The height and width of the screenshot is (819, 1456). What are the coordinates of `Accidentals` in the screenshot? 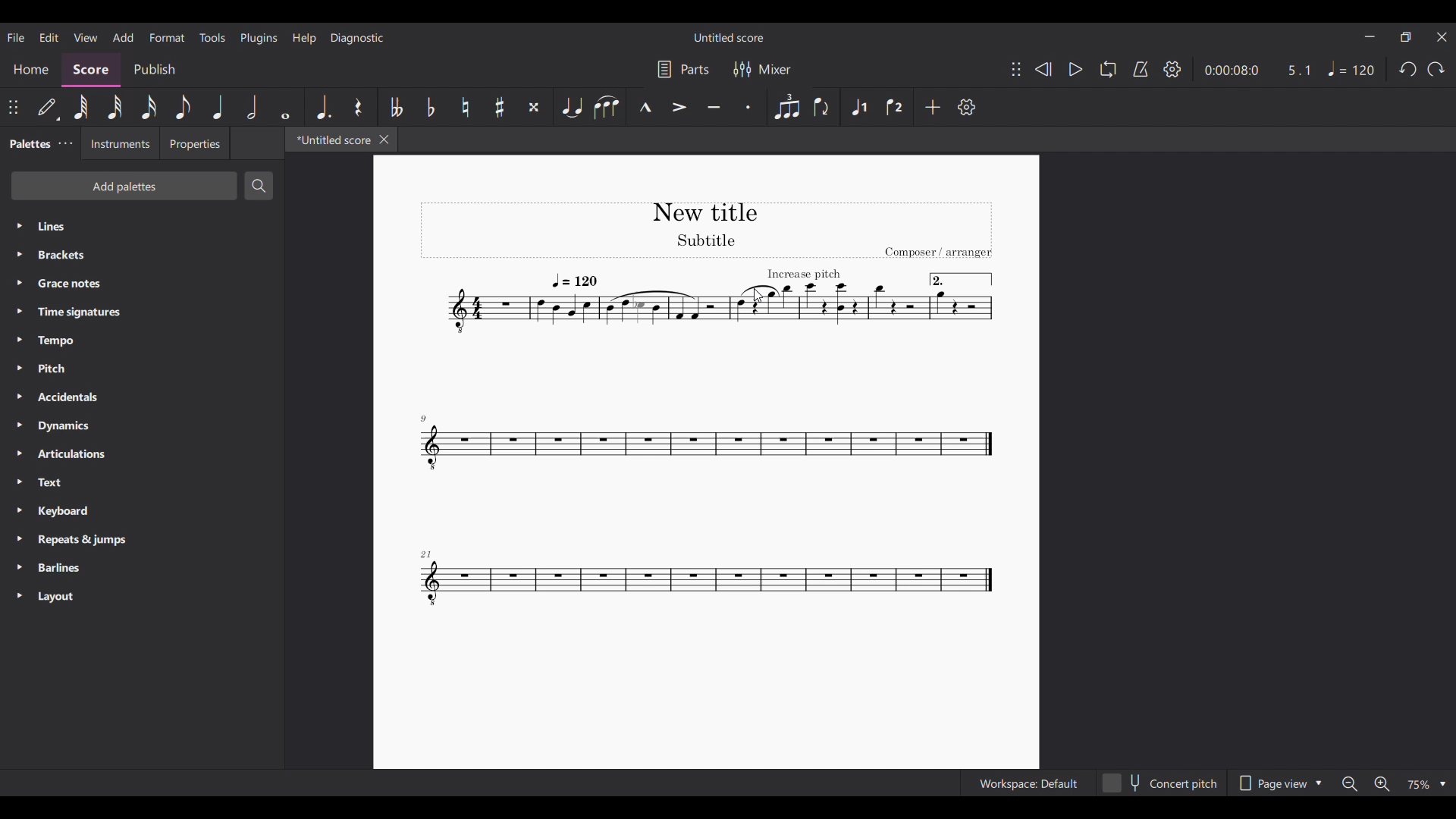 It's located at (141, 397).